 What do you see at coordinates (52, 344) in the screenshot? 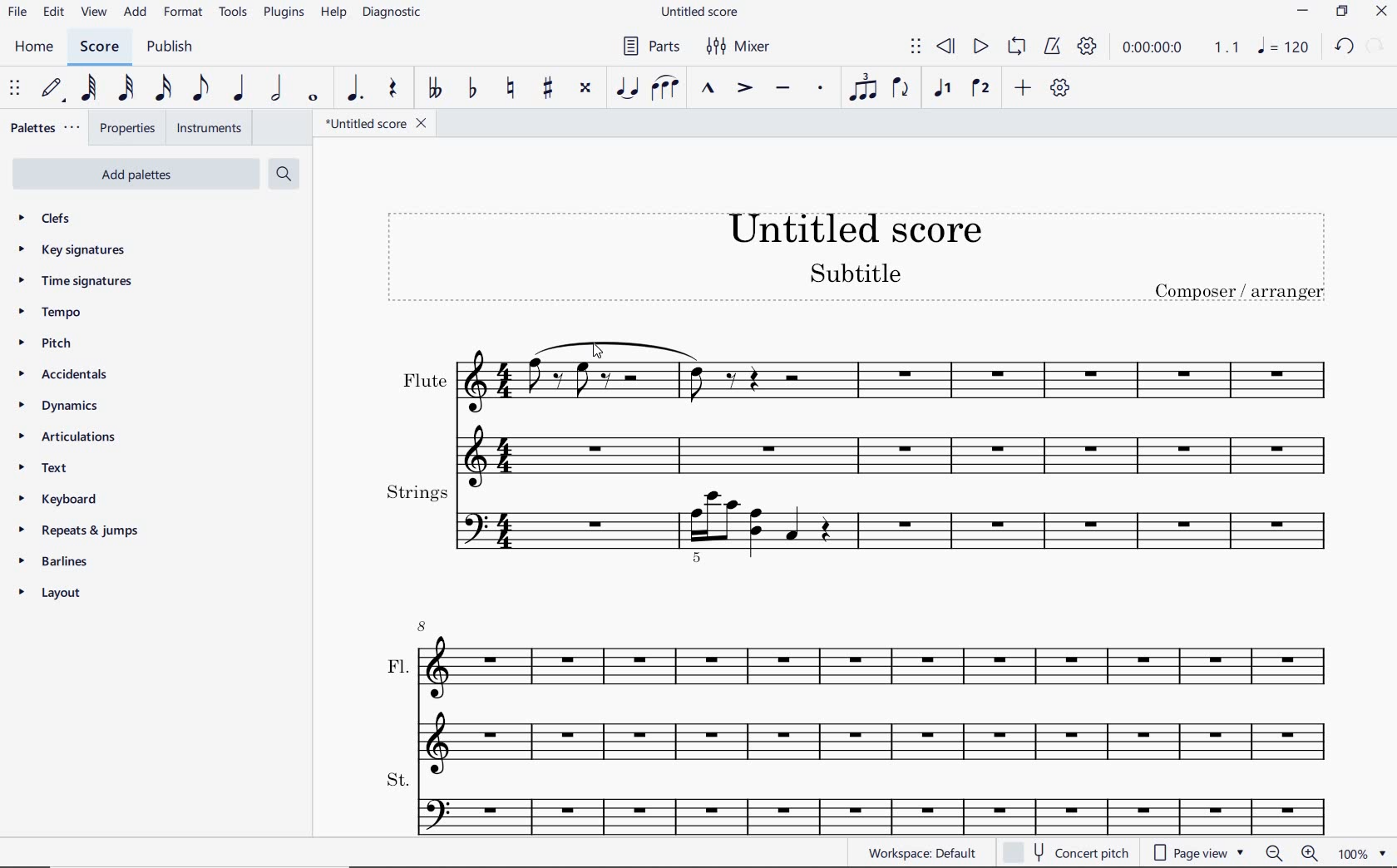
I see `pitch` at bounding box center [52, 344].